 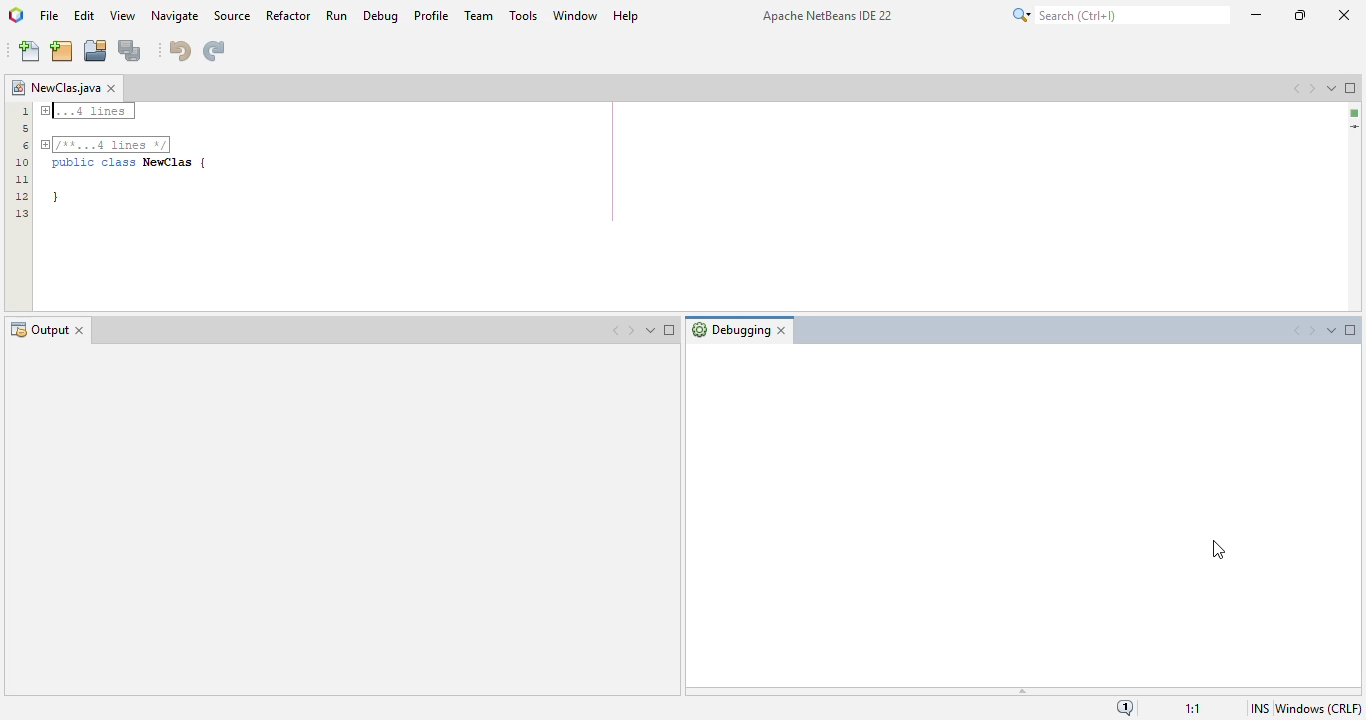 I want to click on view, so click(x=123, y=15).